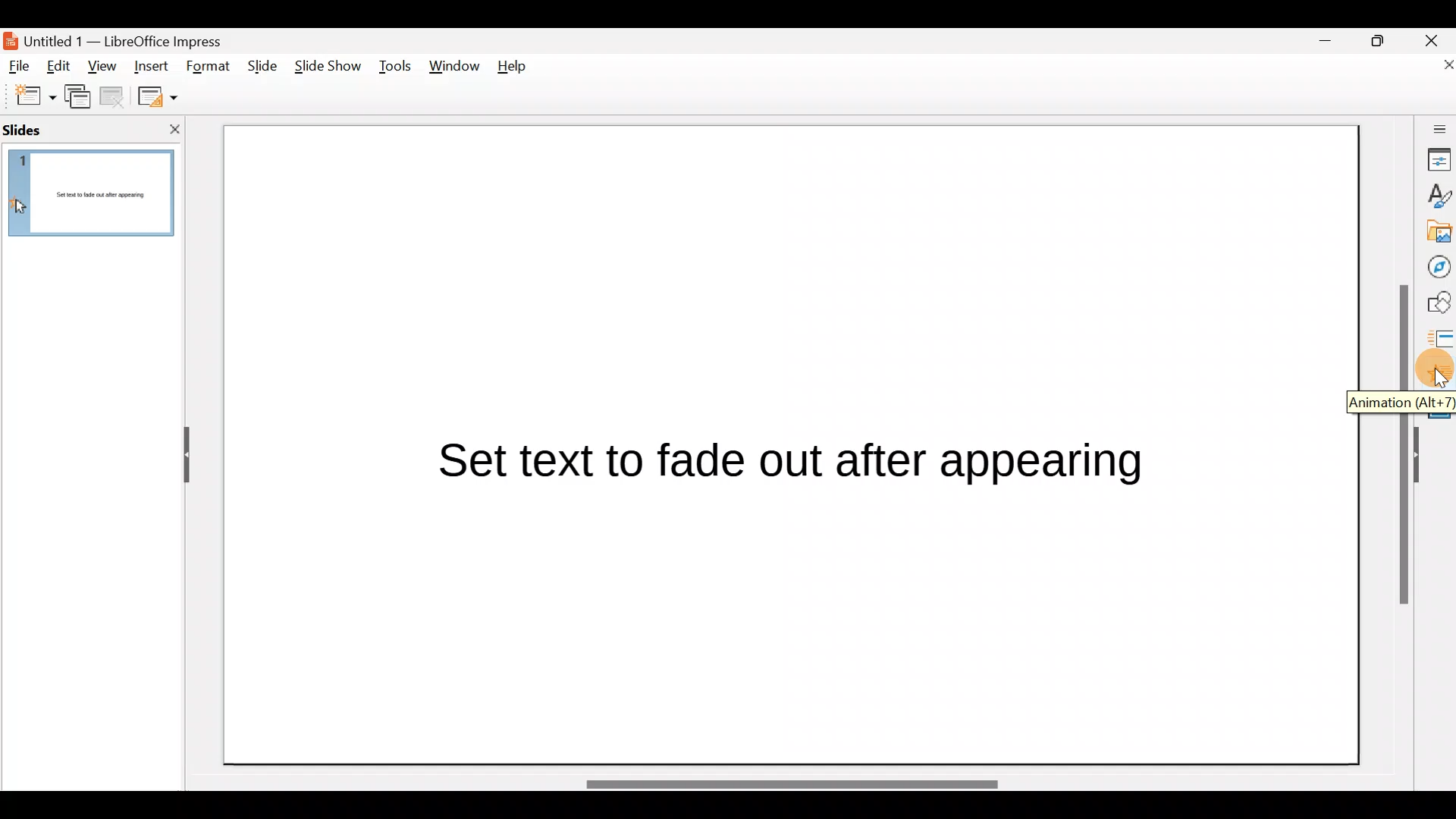 The height and width of the screenshot is (819, 1456). I want to click on Cursor, so click(1432, 383).